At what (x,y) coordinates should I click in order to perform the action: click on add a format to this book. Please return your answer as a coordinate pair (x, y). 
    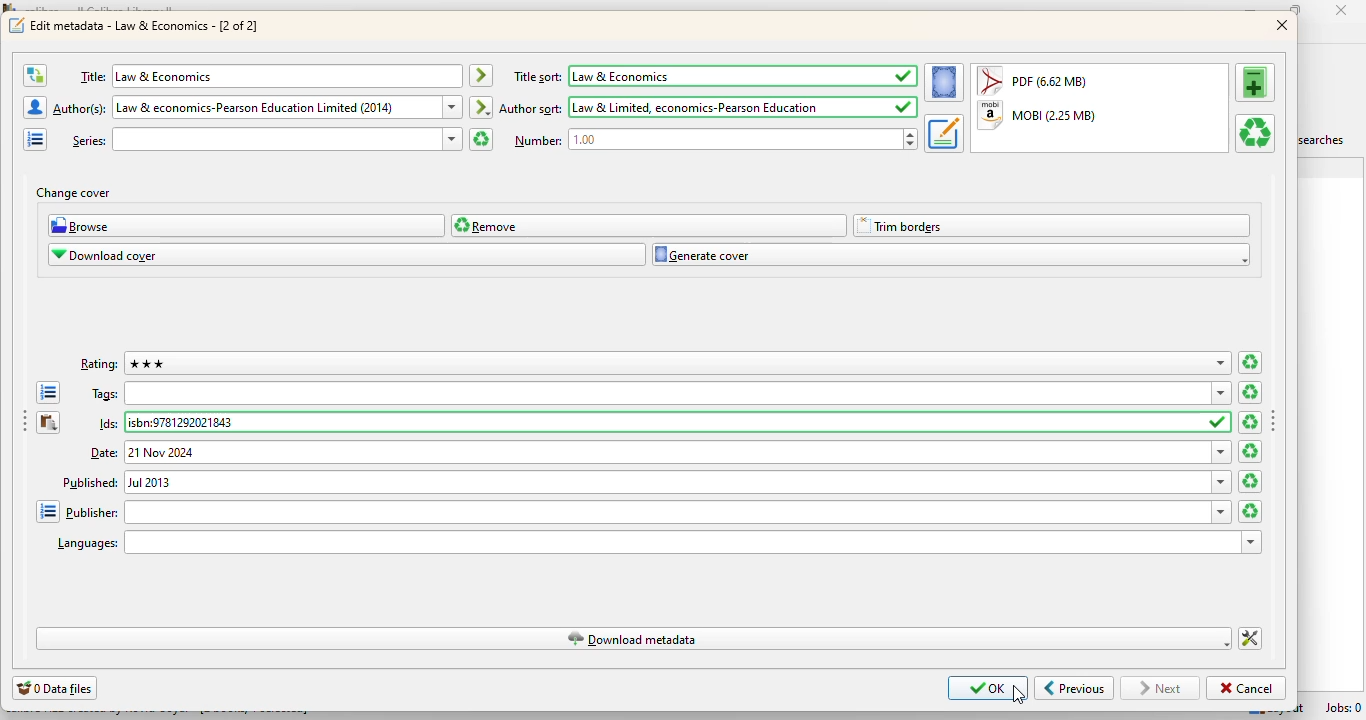
    Looking at the image, I should click on (1256, 81).